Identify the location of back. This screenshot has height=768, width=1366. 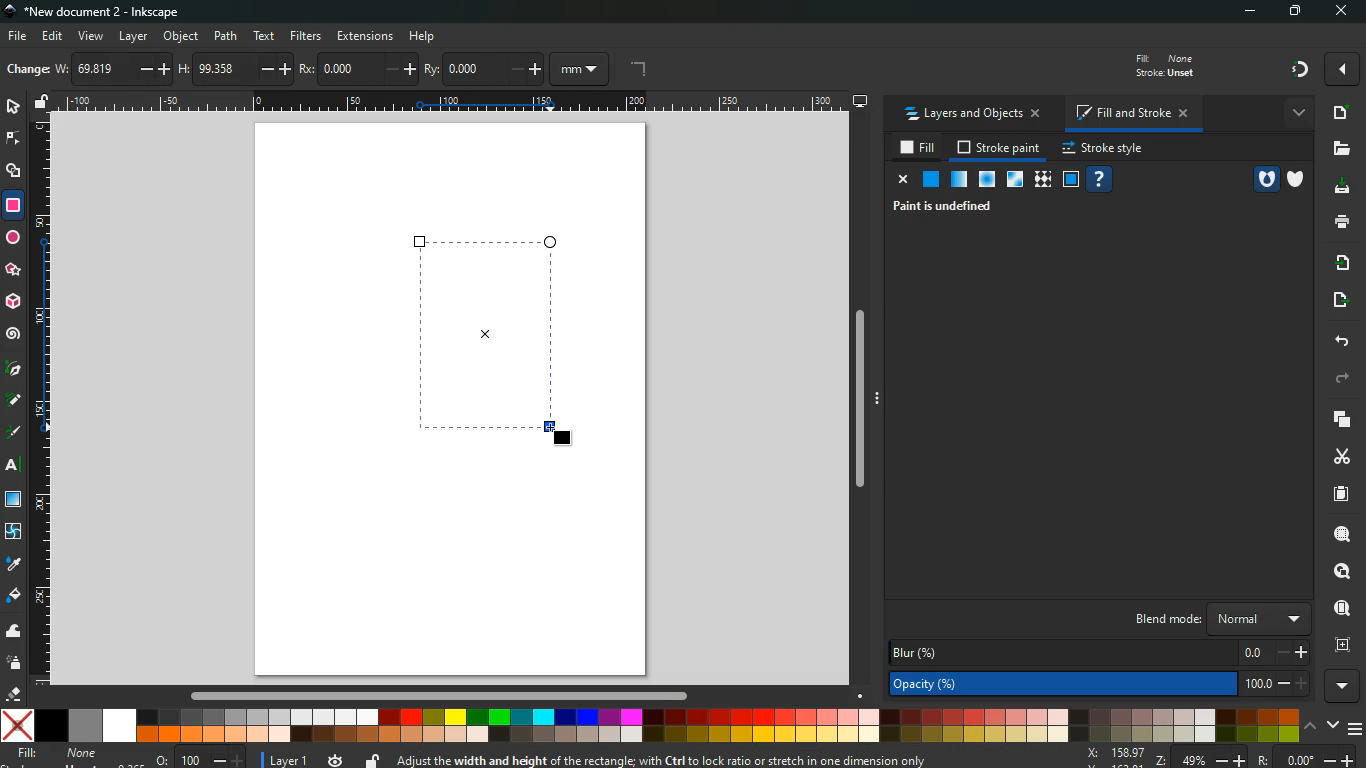
(1342, 341).